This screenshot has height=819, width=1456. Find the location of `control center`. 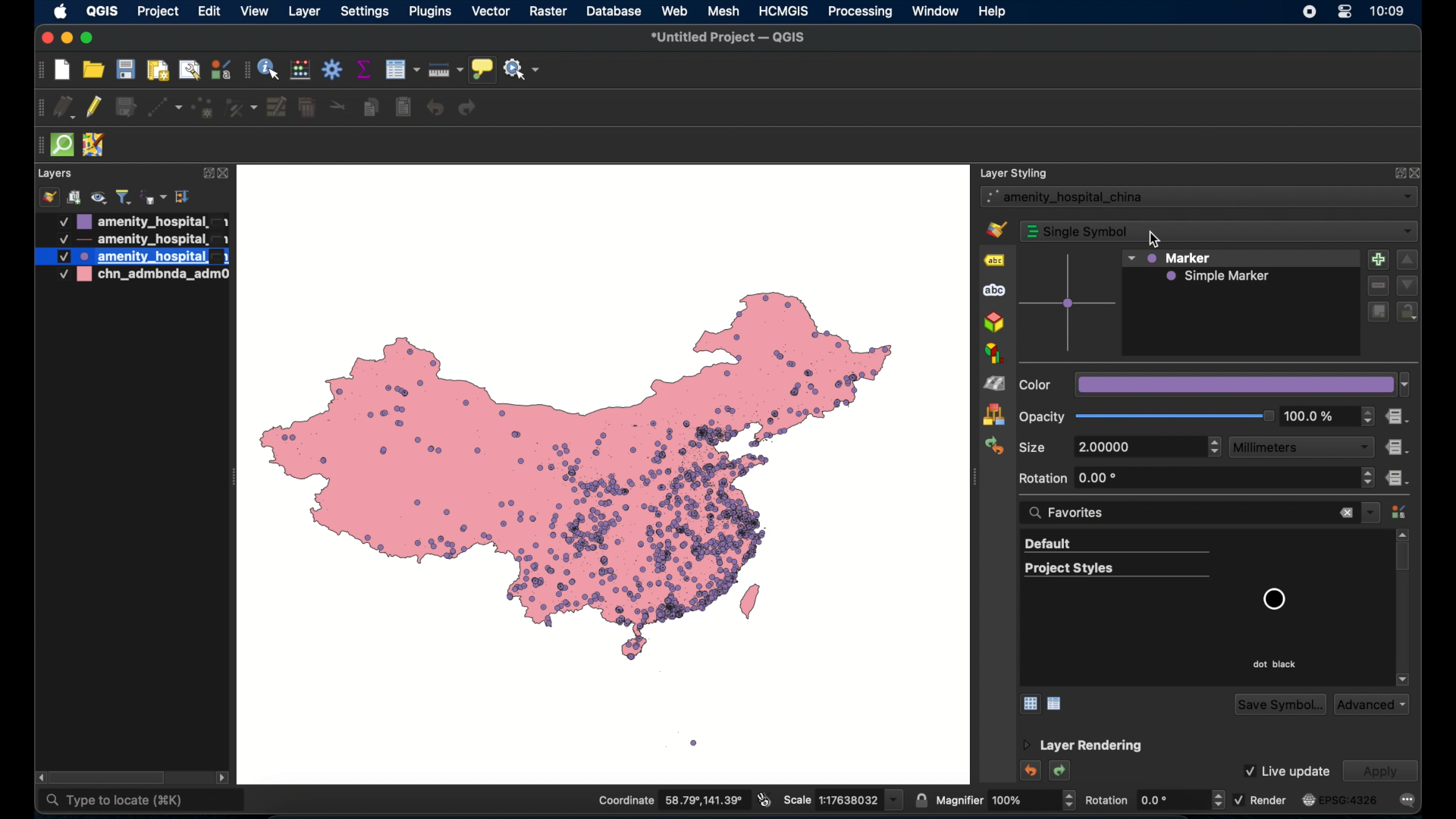

control center is located at coordinates (1346, 12).